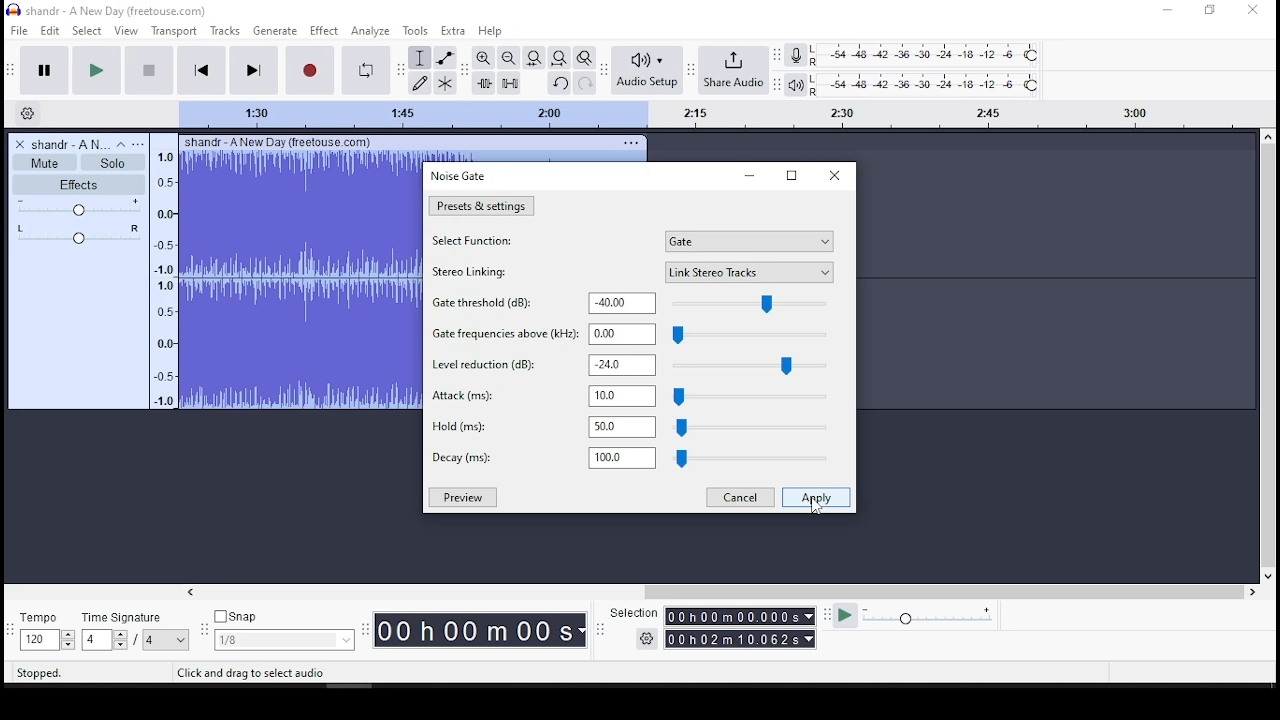 The height and width of the screenshot is (720, 1280). Describe the element at coordinates (174, 30) in the screenshot. I see `transport` at that location.